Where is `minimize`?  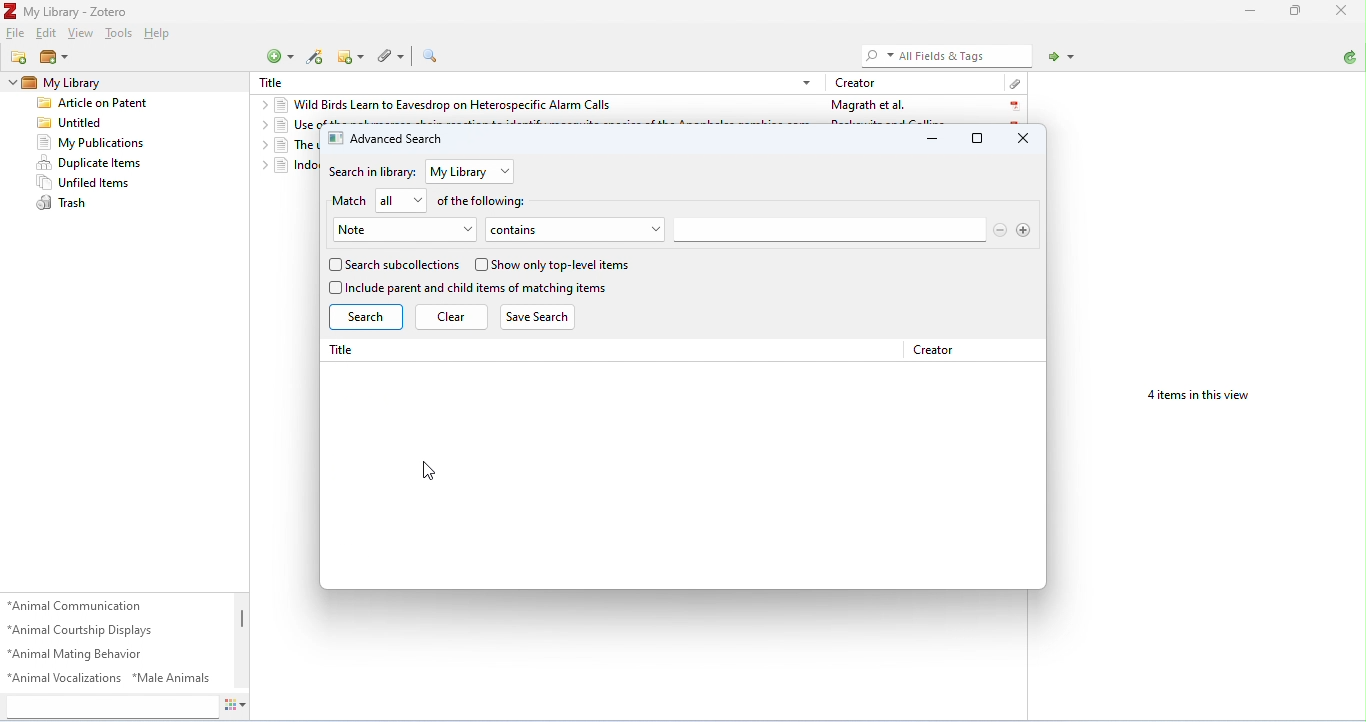
minimize is located at coordinates (935, 139).